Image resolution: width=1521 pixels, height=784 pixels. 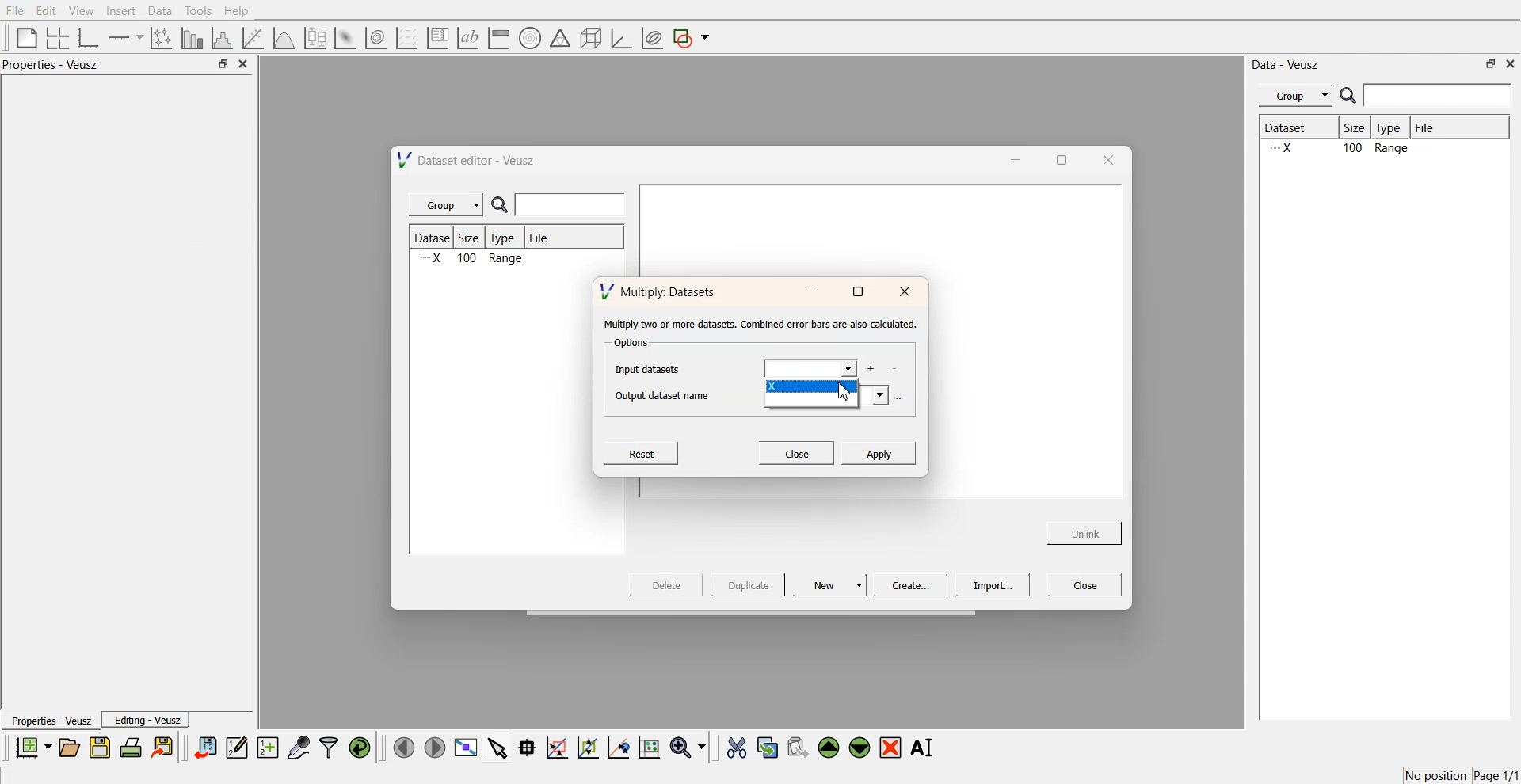 What do you see at coordinates (588, 38) in the screenshot?
I see `3d shapes` at bounding box center [588, 38].